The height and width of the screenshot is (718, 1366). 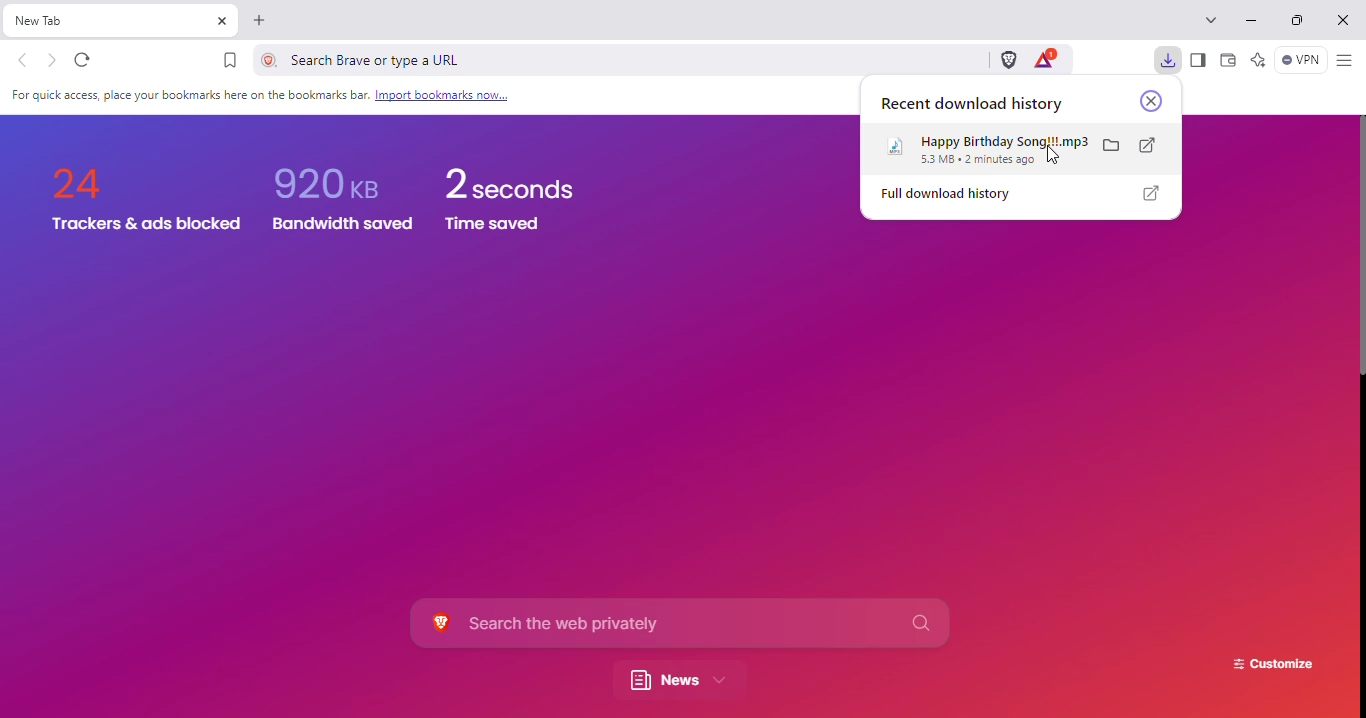 What do you see at coordinates (1345, 61) in the screenshot?
I see `customize and control brave` at bounding box center [1345, 61].